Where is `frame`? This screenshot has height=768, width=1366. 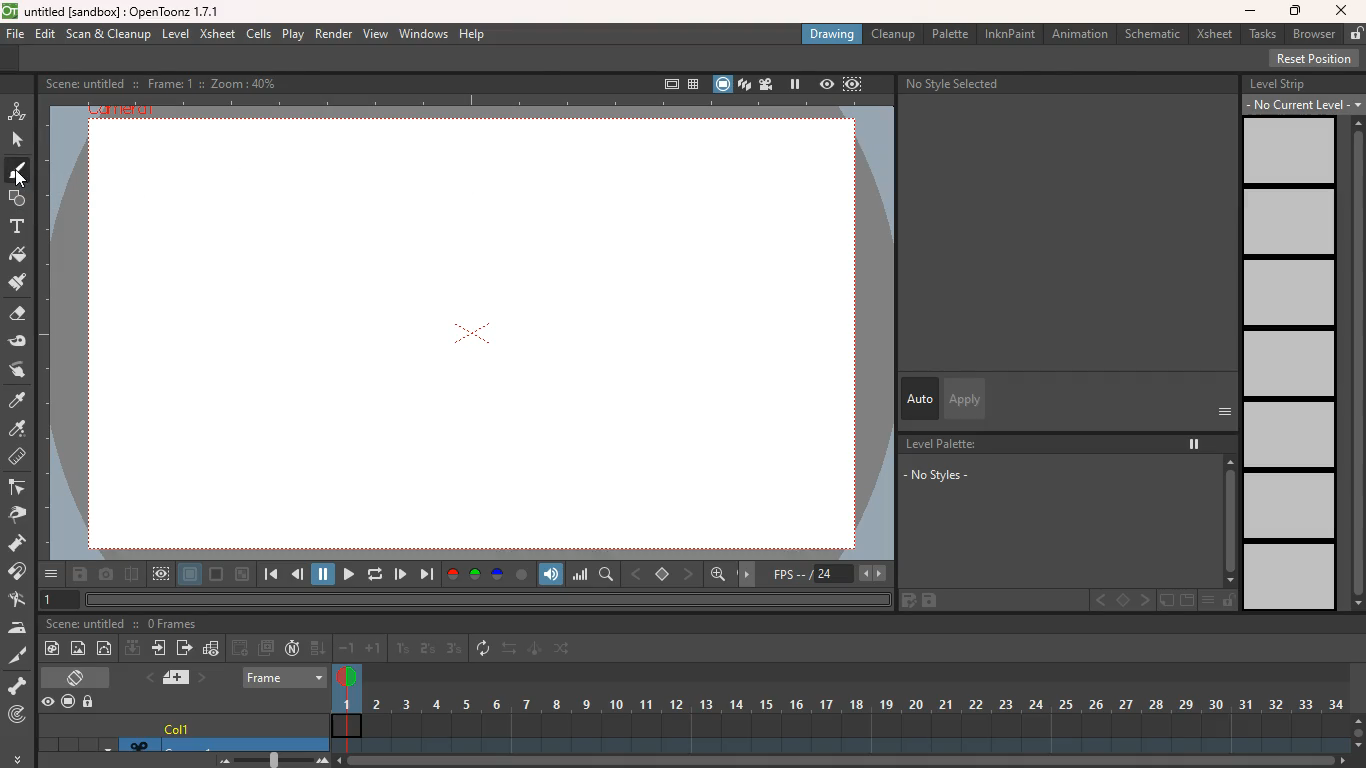 frame is located at coordinates (852, 86).